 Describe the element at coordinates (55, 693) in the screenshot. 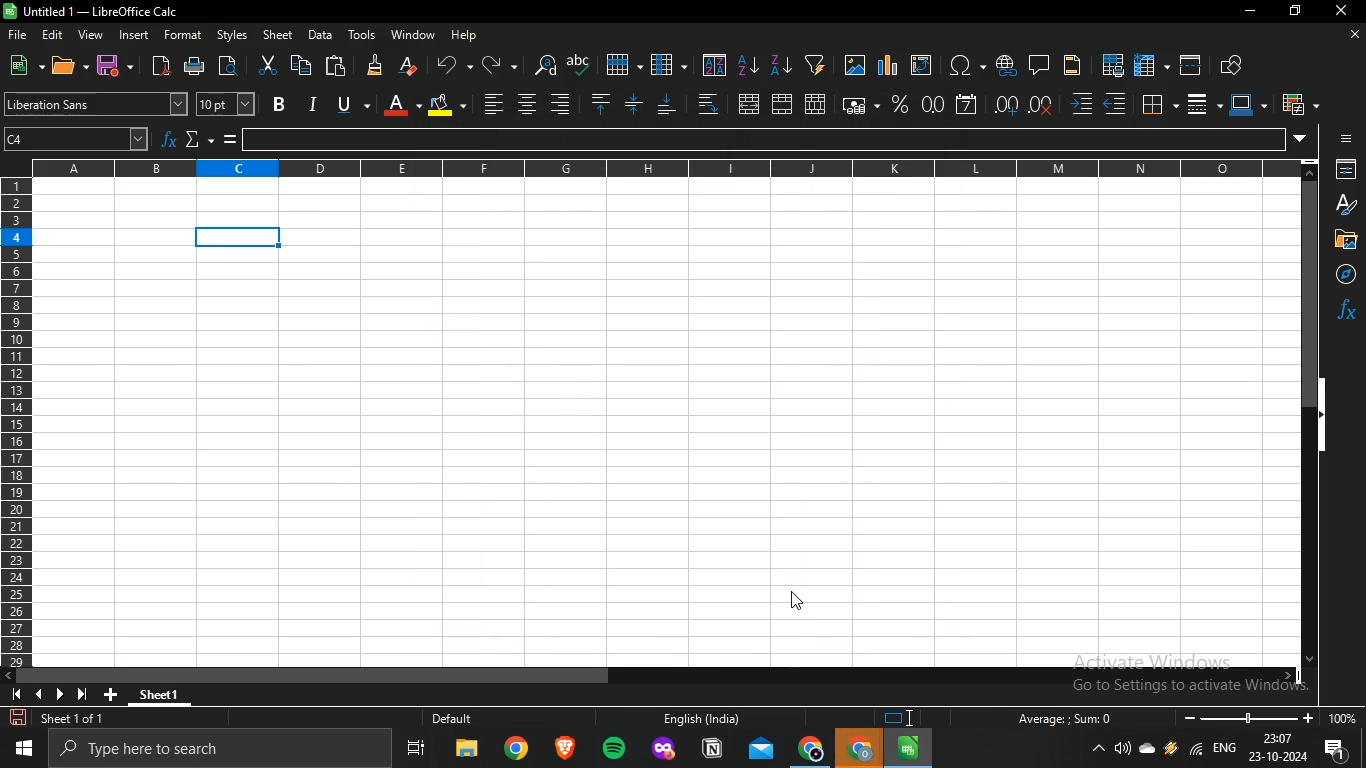

I see `icon` at that location.